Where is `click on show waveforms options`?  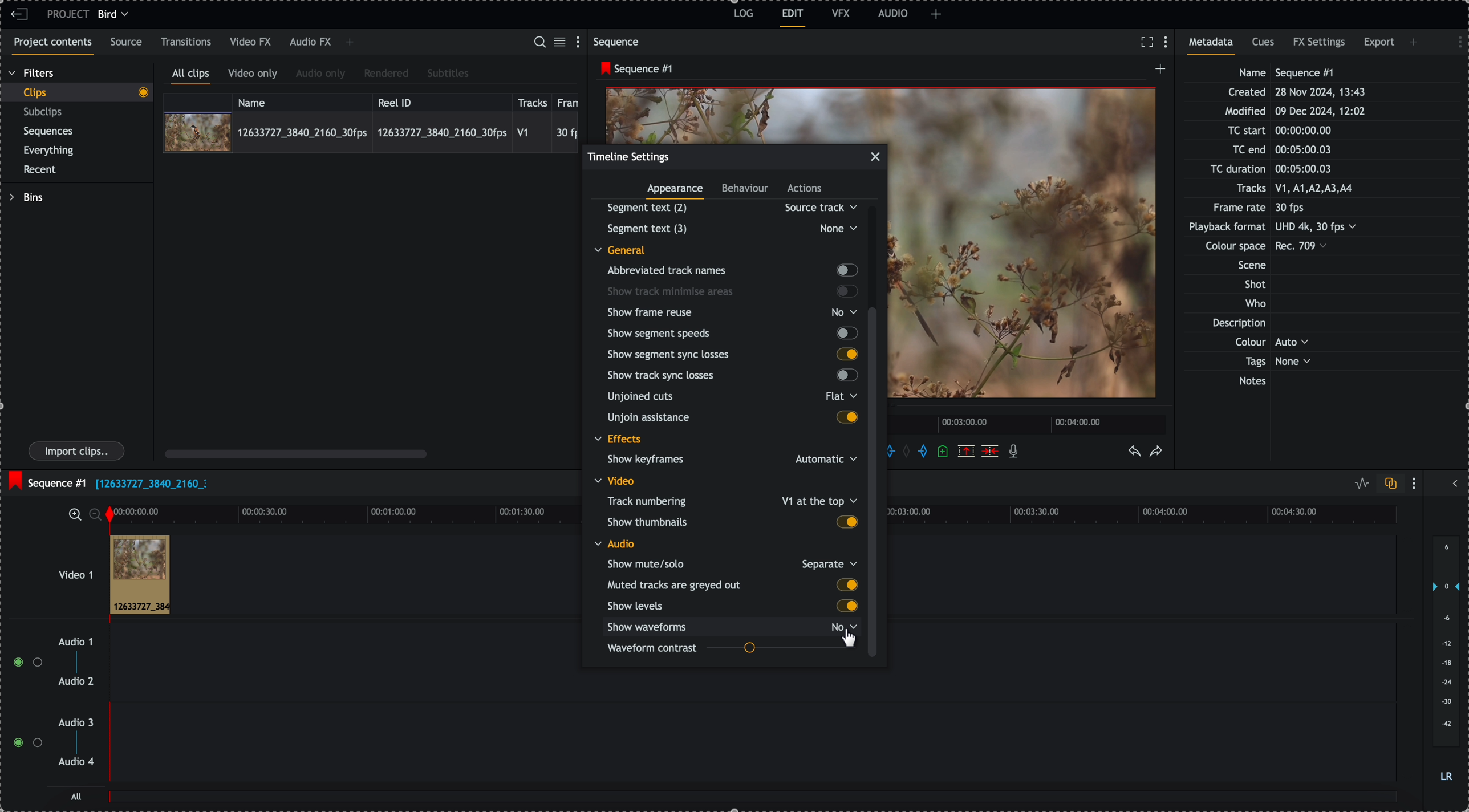 click on show waveforms options is located at coordinates (735, 626).